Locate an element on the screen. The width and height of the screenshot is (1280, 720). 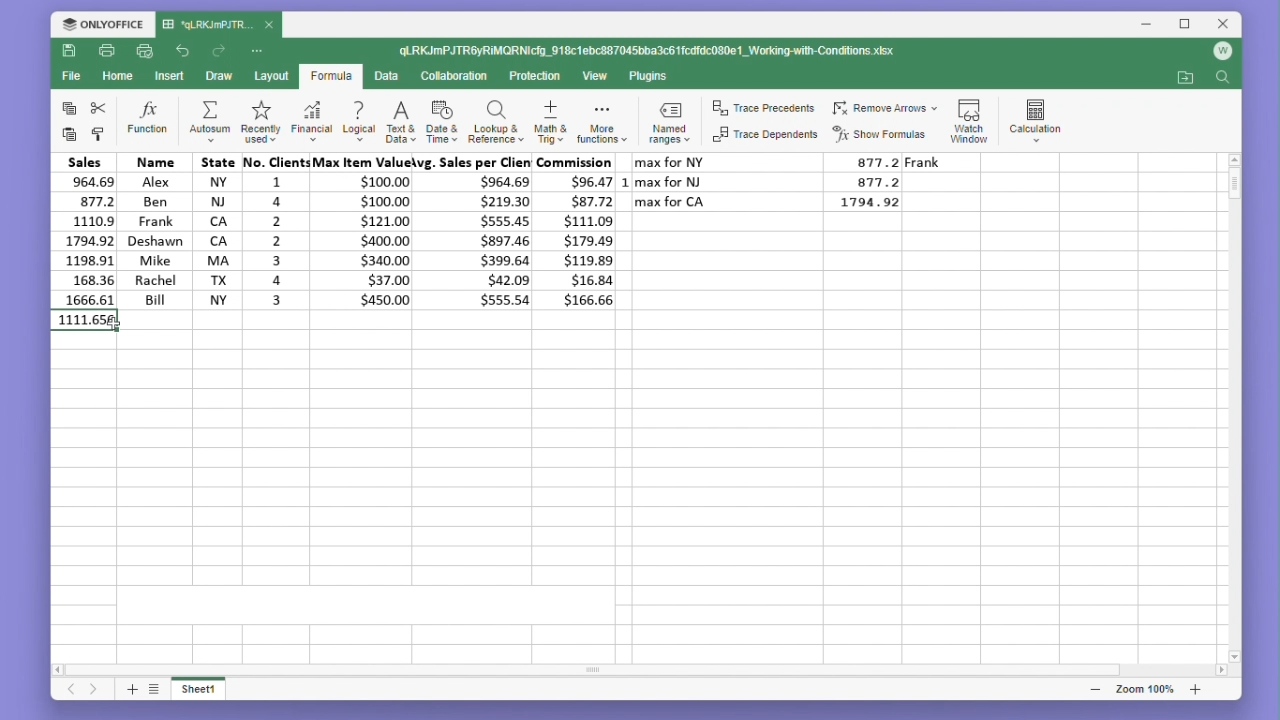
paste is located at coordinates (70, 135).